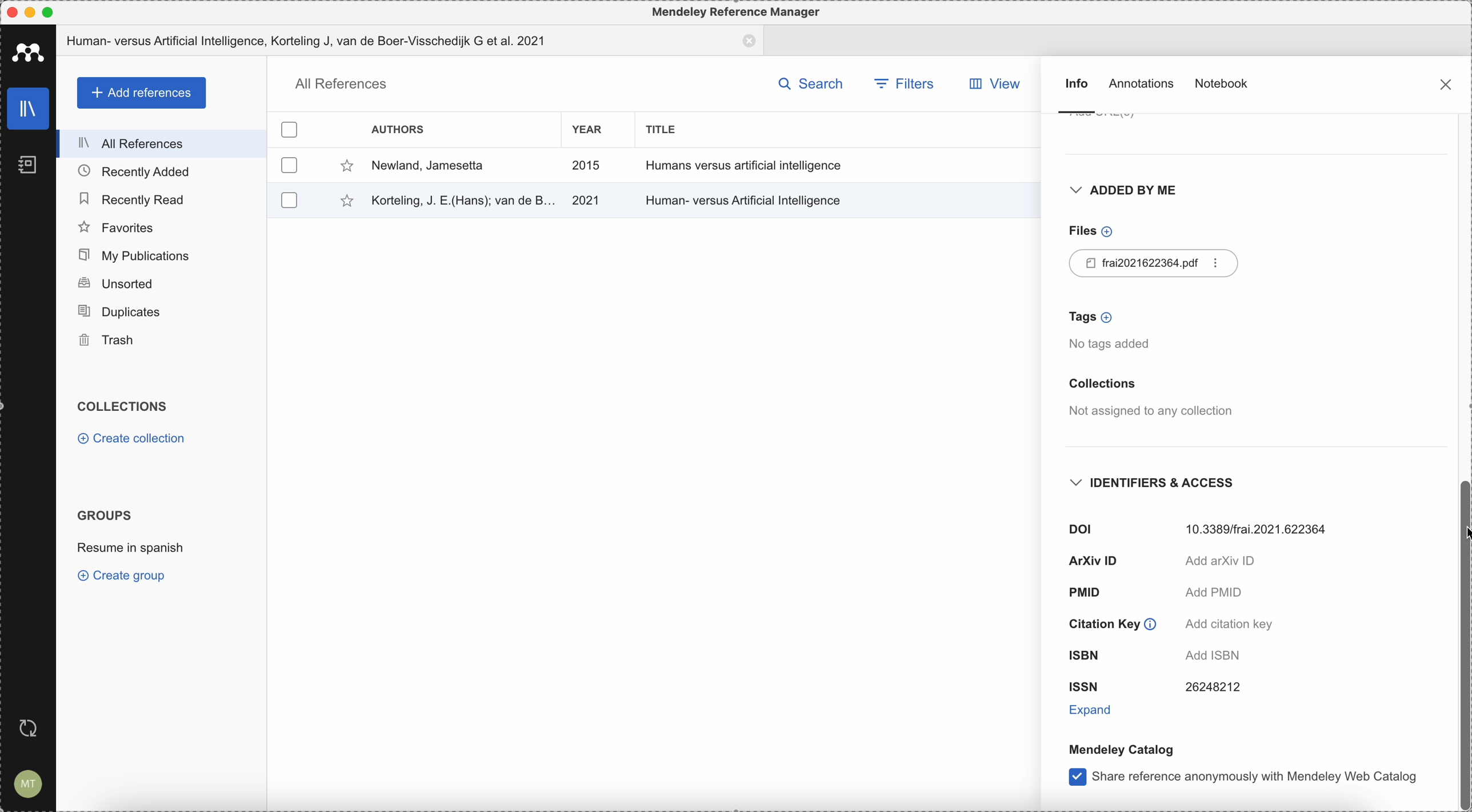 The width and height of the screenshot is (1472, 812). I want to click on notebook, so click(1223, 82).